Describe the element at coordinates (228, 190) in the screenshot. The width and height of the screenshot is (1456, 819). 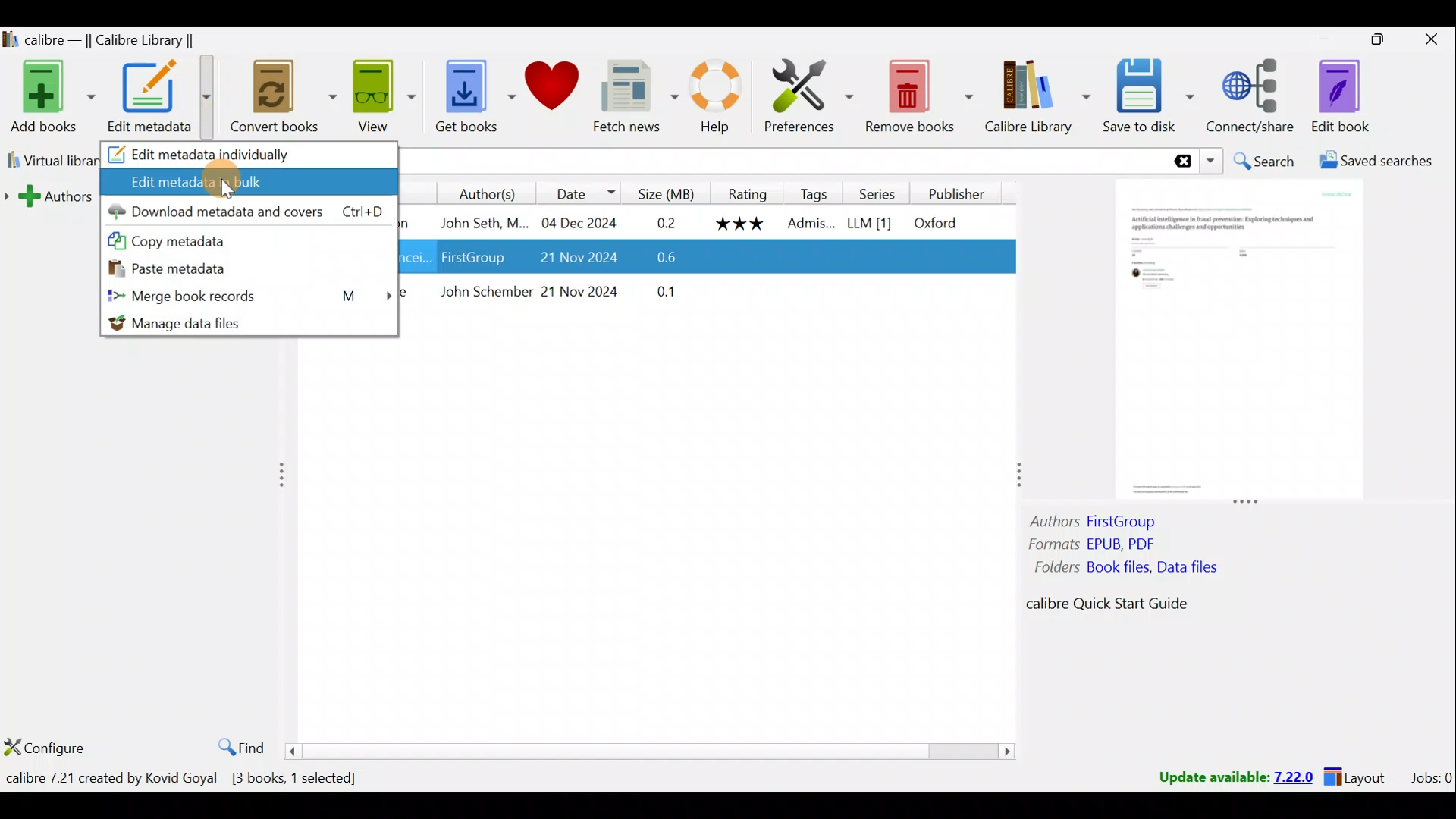
I see `cursor` at that location.